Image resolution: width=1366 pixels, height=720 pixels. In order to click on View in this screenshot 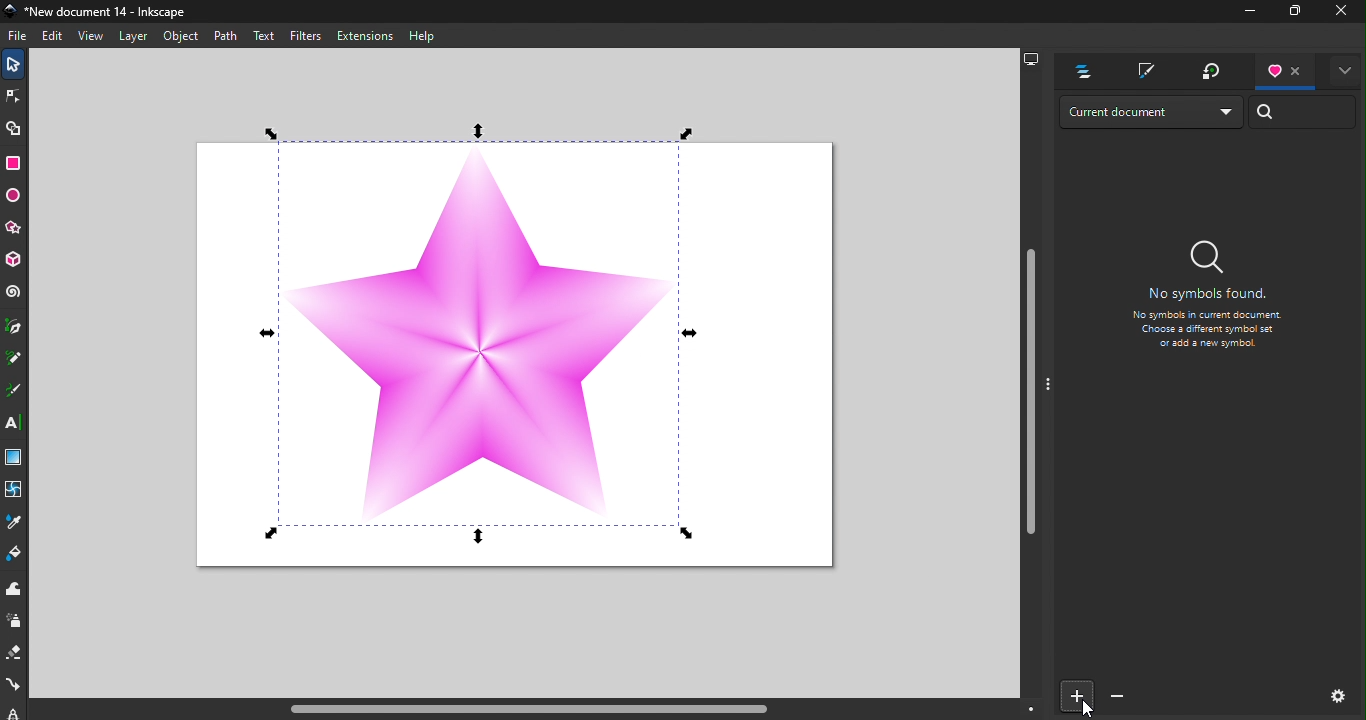, I will do `click(91, 38)`.